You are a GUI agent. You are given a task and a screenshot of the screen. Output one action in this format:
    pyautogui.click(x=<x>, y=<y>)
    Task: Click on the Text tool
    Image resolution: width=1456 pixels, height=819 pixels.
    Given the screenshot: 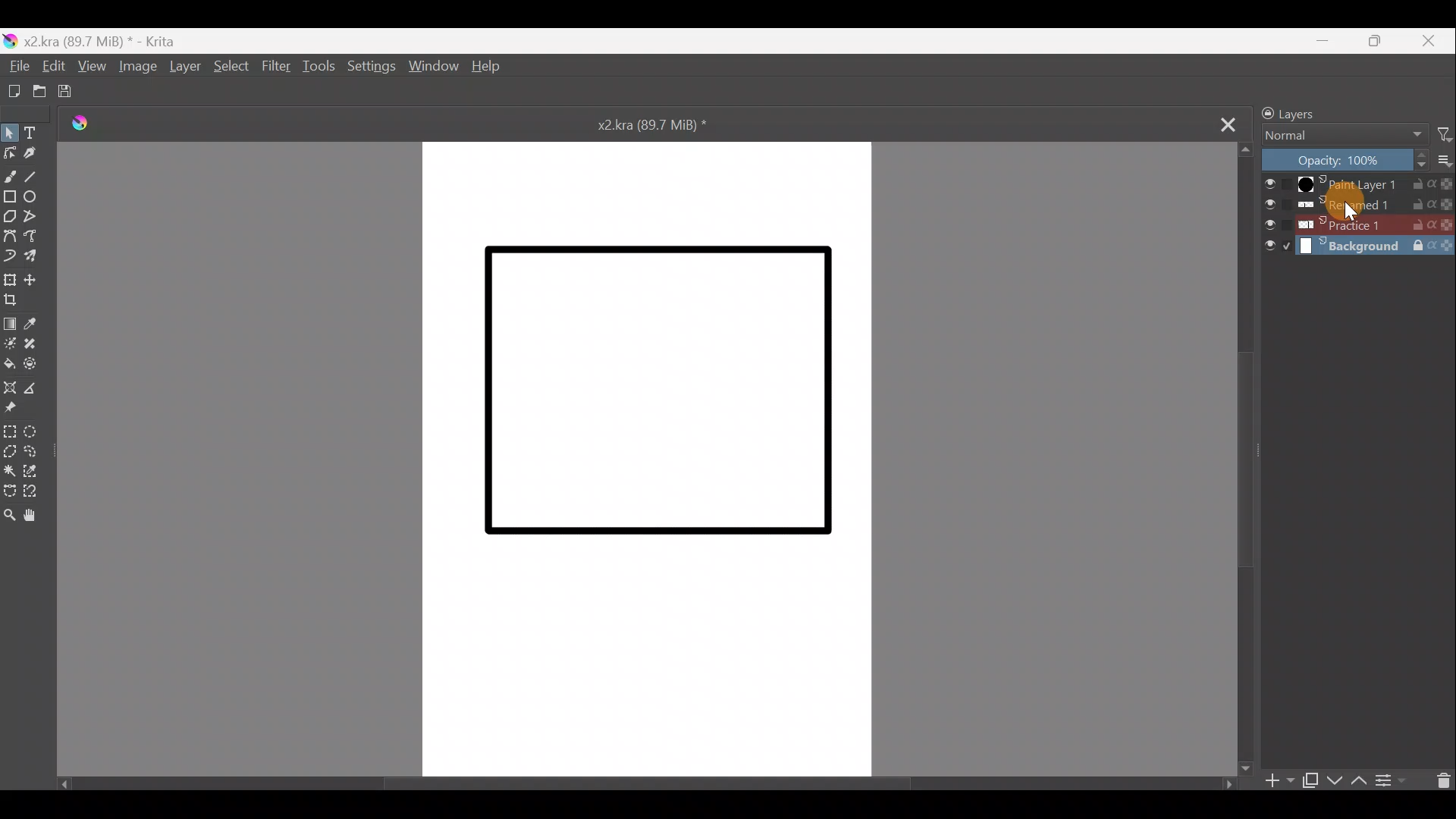 What is the action you would take?
    pyautogui.click(x=36, y=133)
    